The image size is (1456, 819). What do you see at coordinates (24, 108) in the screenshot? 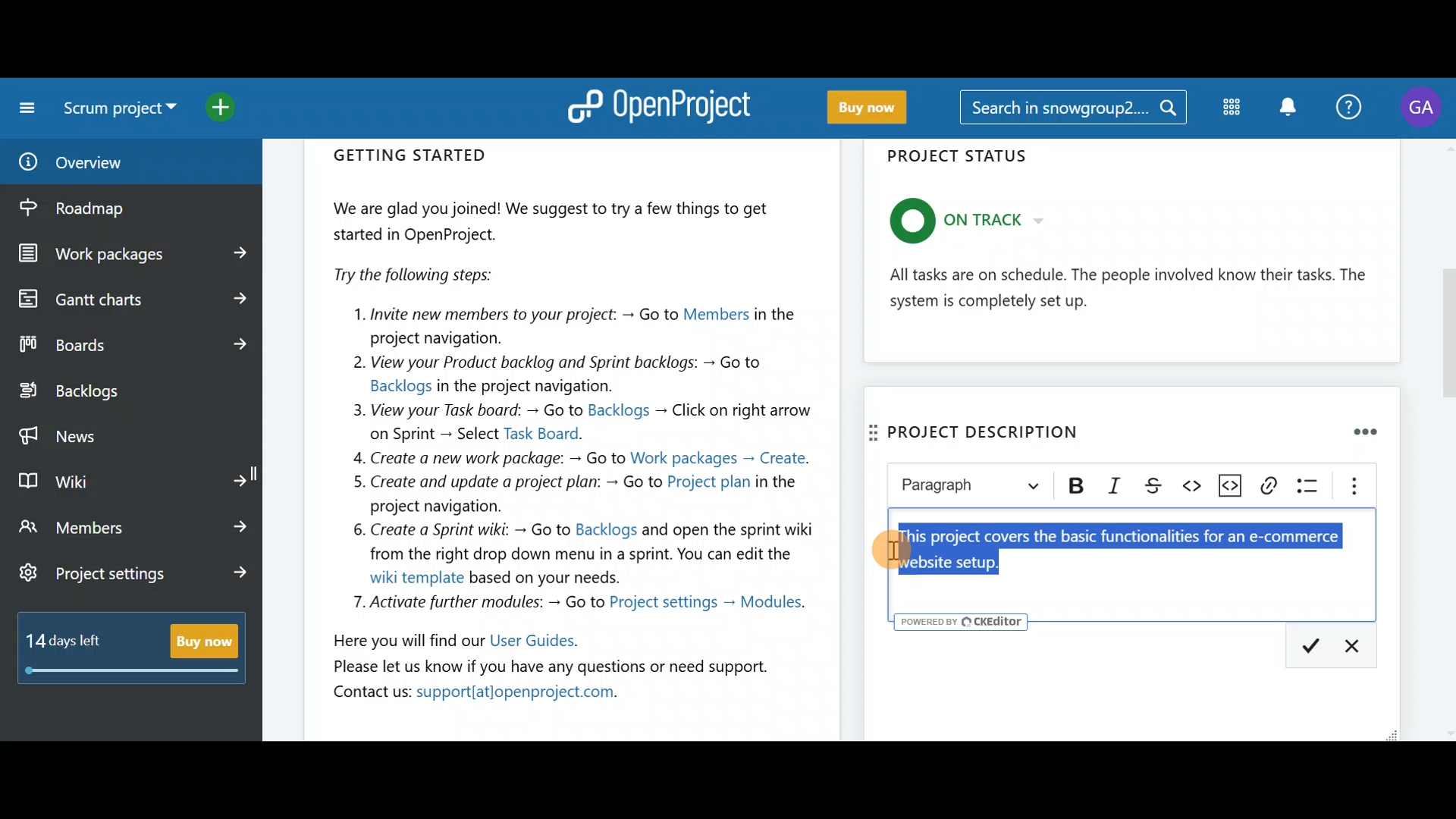
I see `Collapse project menu` at bounding box center [24, 108].